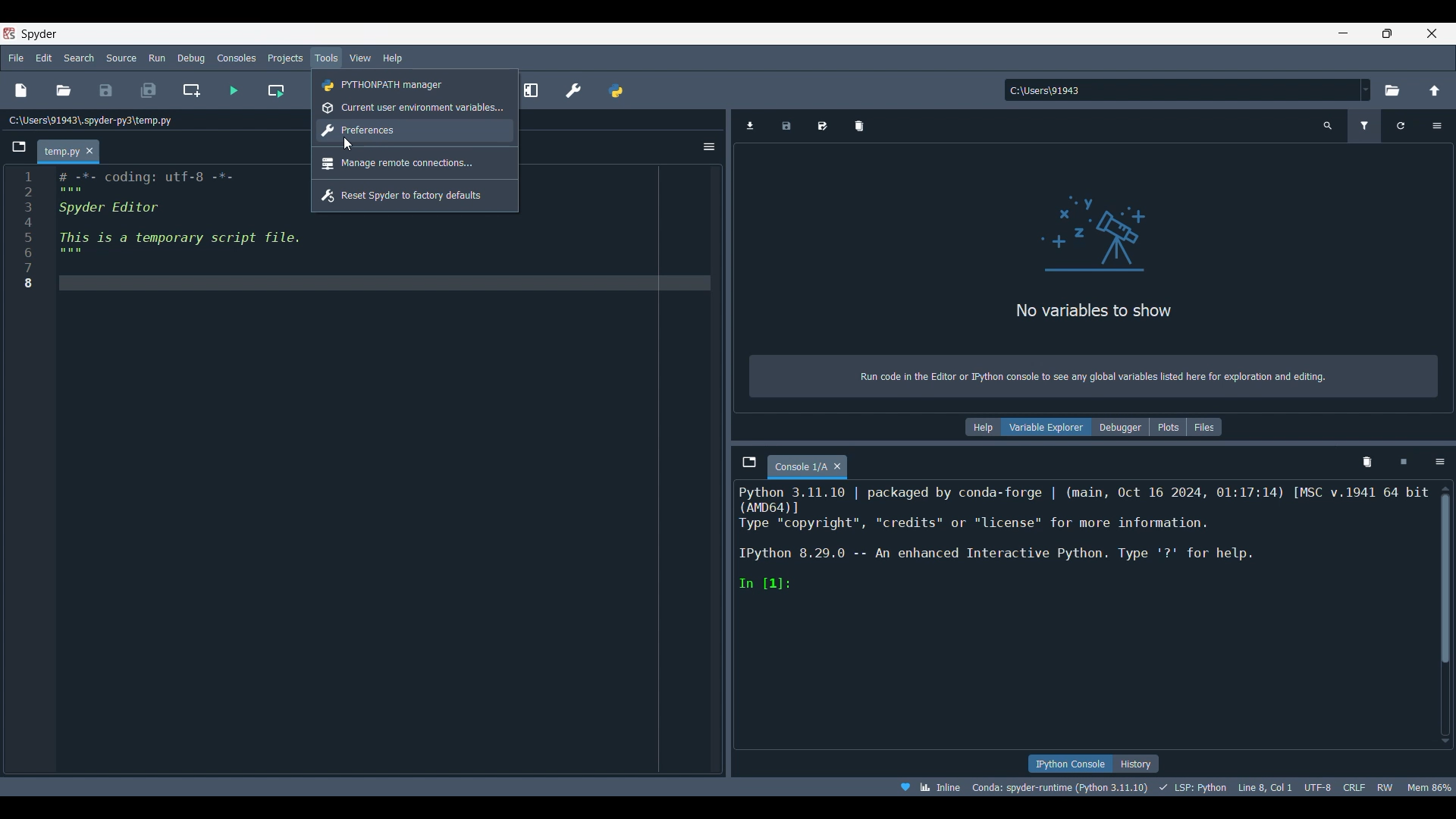 This screenshot has width=1456, height=819. Describe the element at coordinates (1349, 36) in the screenshot. I see `Minimize` at that location.